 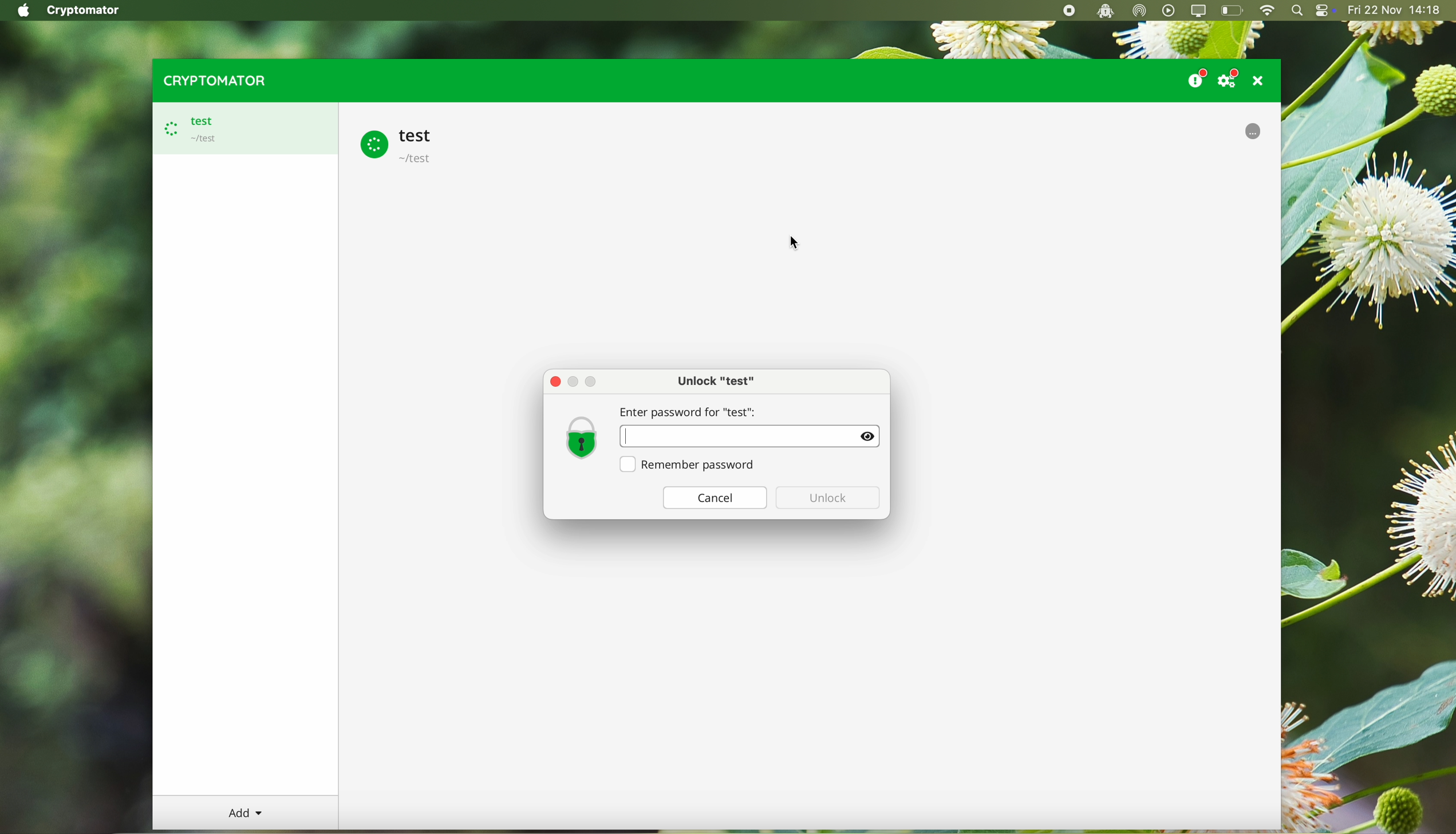 What do you see at coordinates (1195, 76) in the screenshot?
I see `donate` at bounding box center [1195, 76].